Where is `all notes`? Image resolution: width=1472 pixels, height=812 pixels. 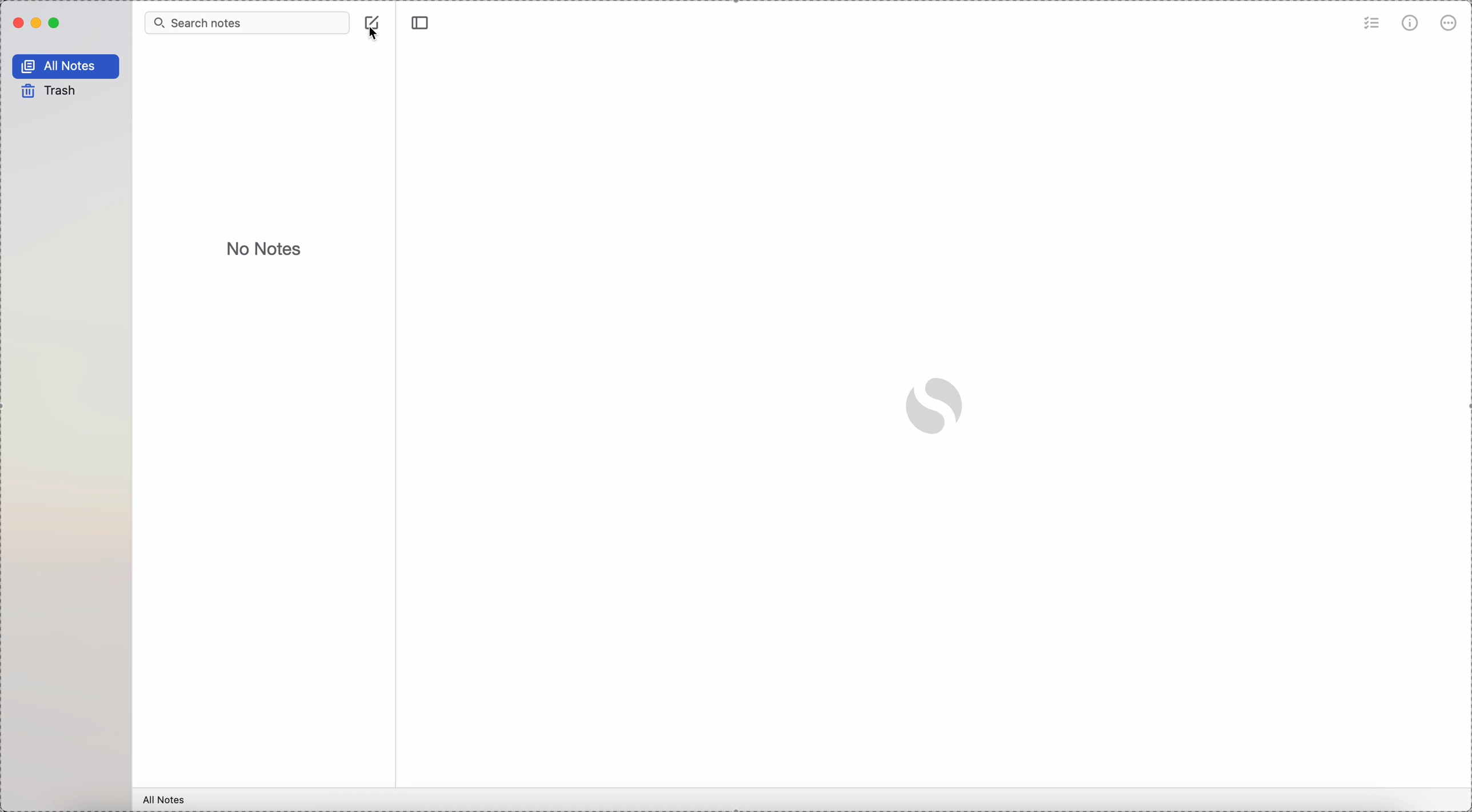
all notes is located at coordinates (67, 67).